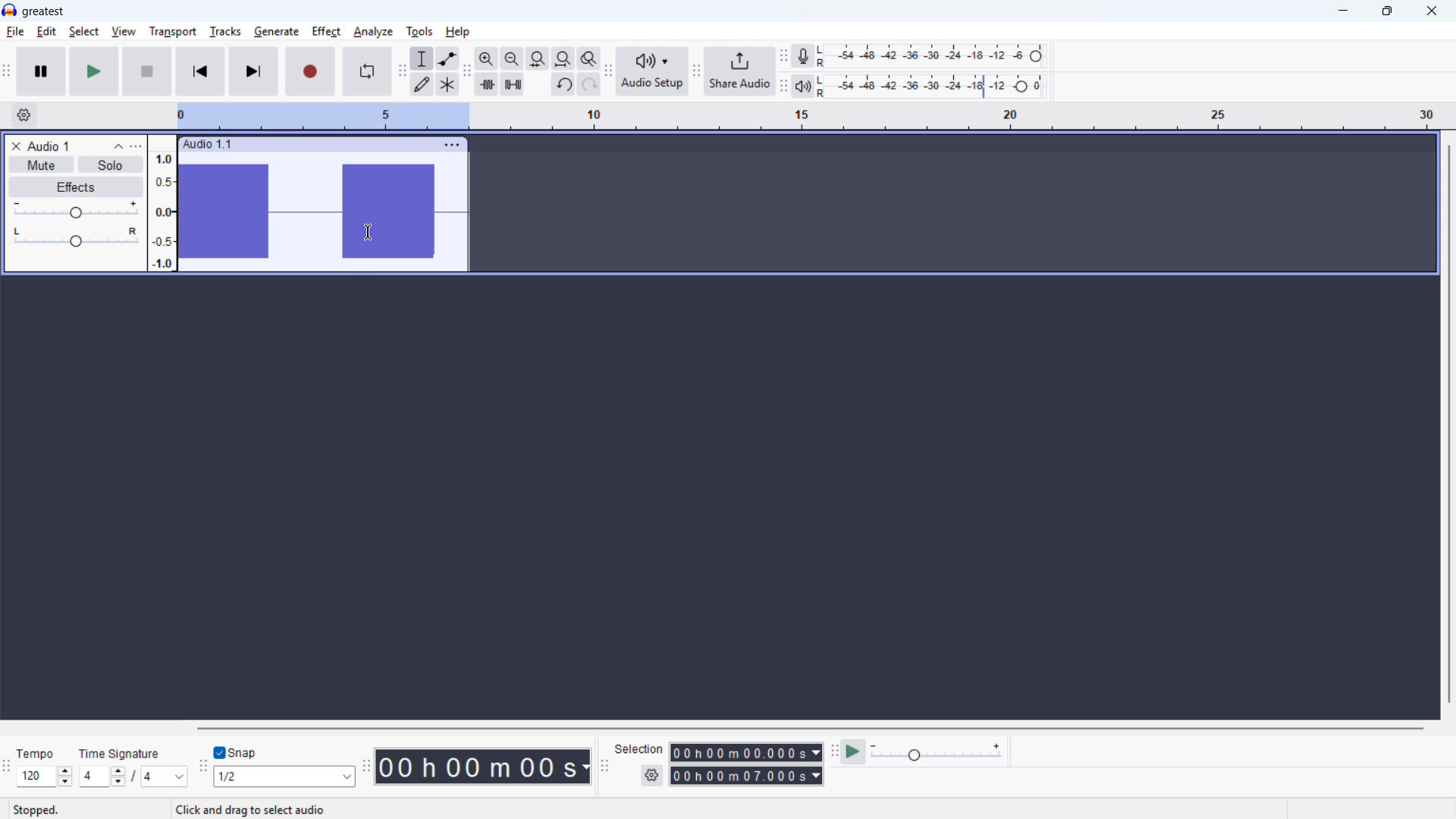 Image resolution: width=1456 pixels, height=819 pixels. Describe the element at coordinates (255, 72) in the screenshot. I see `Skip to end ` at that location.